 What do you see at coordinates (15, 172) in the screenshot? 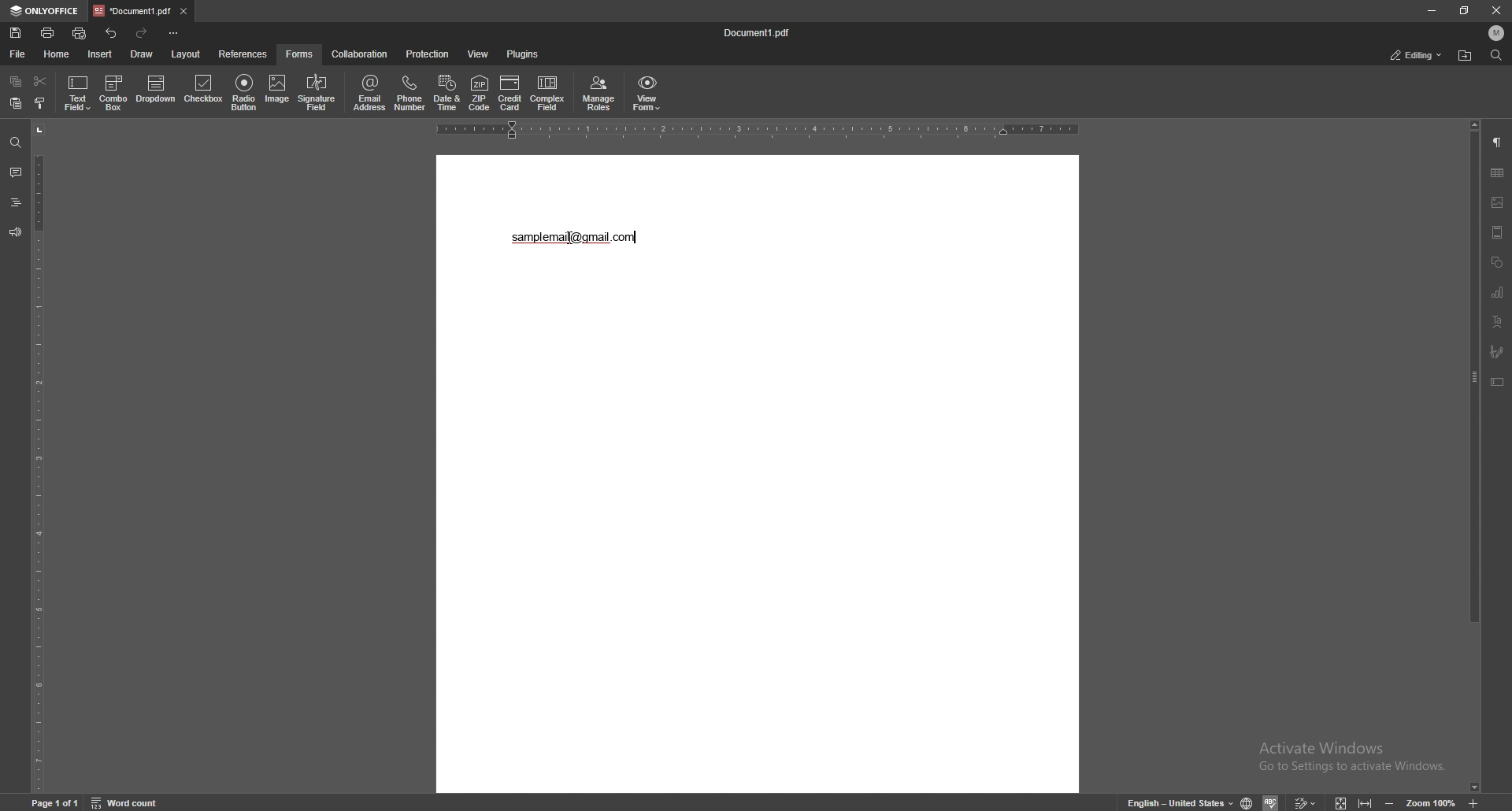
I see `comments` at bounding box center [15, 172].